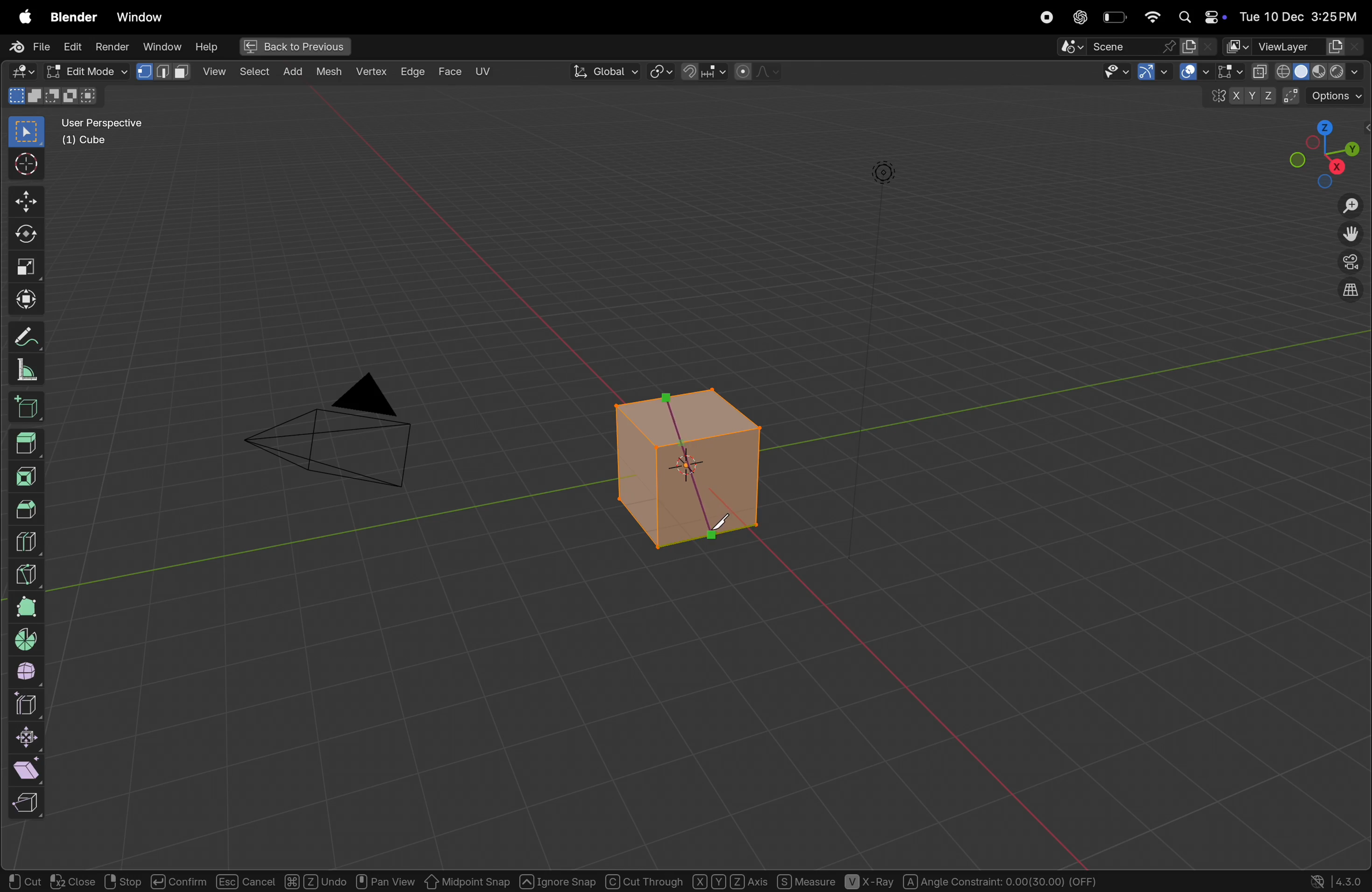 The height and width of the screenshot is (892, 1372). Describe the element at coordinates (557, 880) in the screenshot. I see `Ignore Snap` at that location.